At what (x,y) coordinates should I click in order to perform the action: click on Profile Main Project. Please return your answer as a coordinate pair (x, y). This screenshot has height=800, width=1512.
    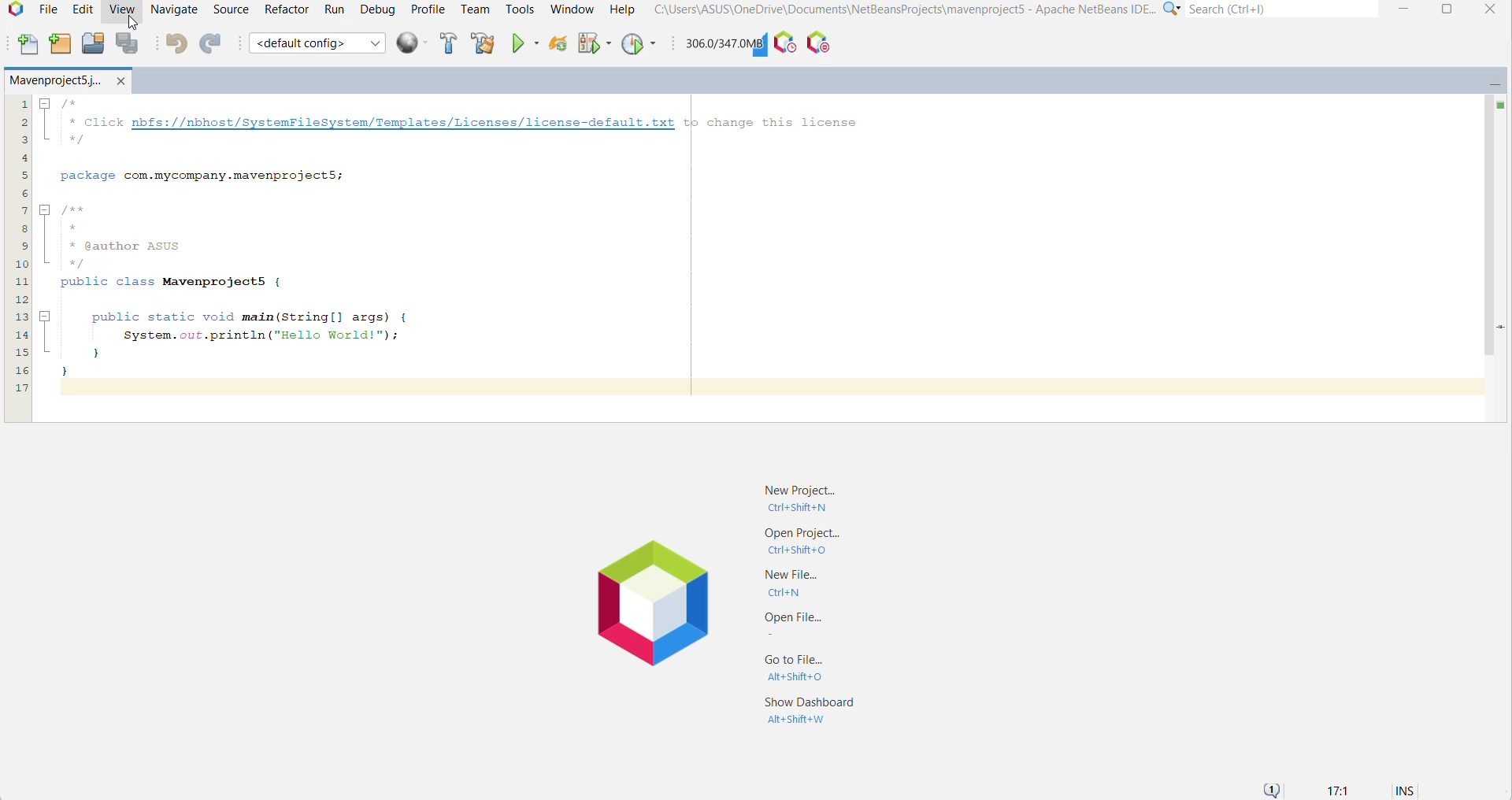
    Looking at the image, I should click on (639, 44).